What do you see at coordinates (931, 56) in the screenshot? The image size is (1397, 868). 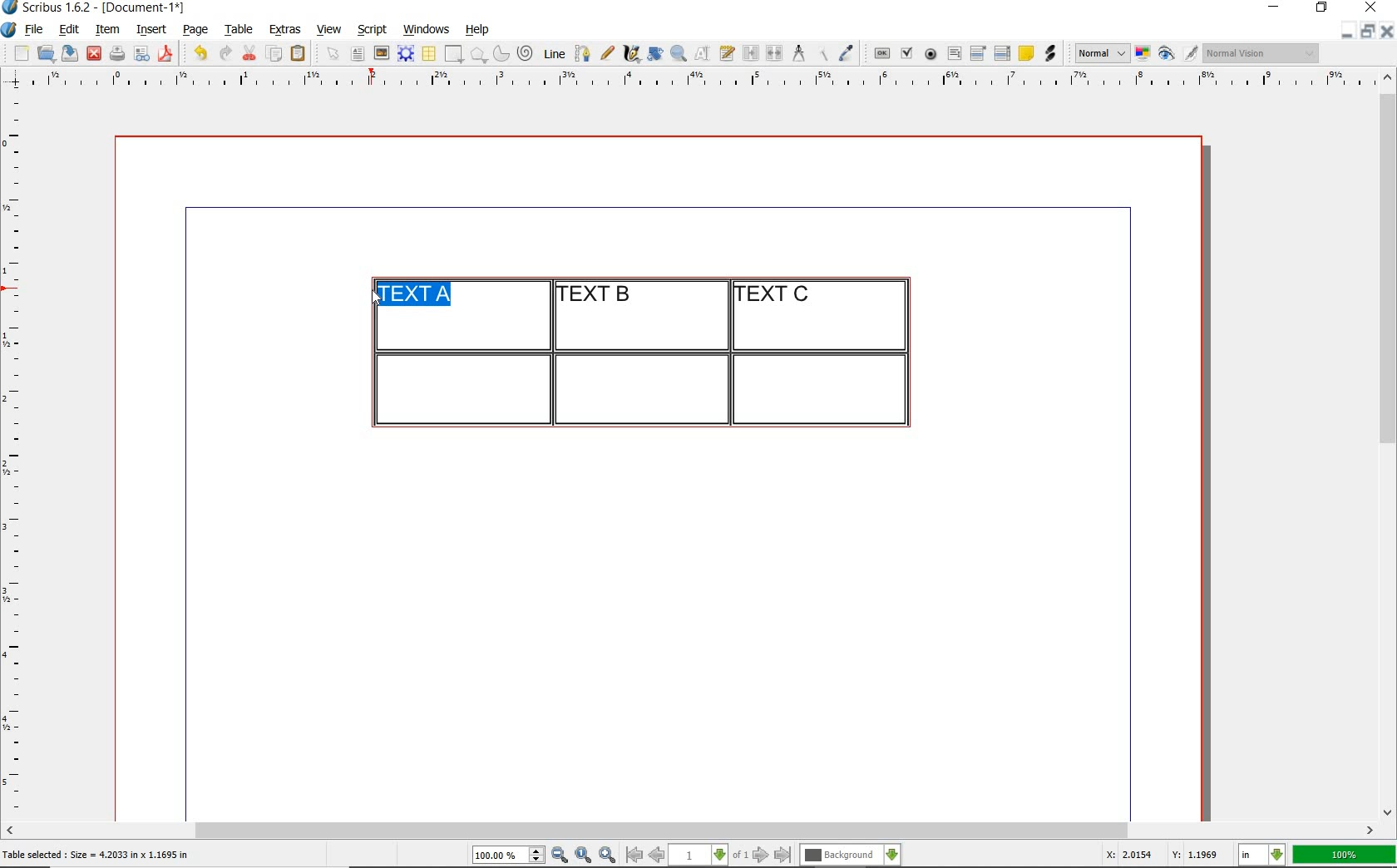 I see `pdf radio button` at bounding box center [931, 56].